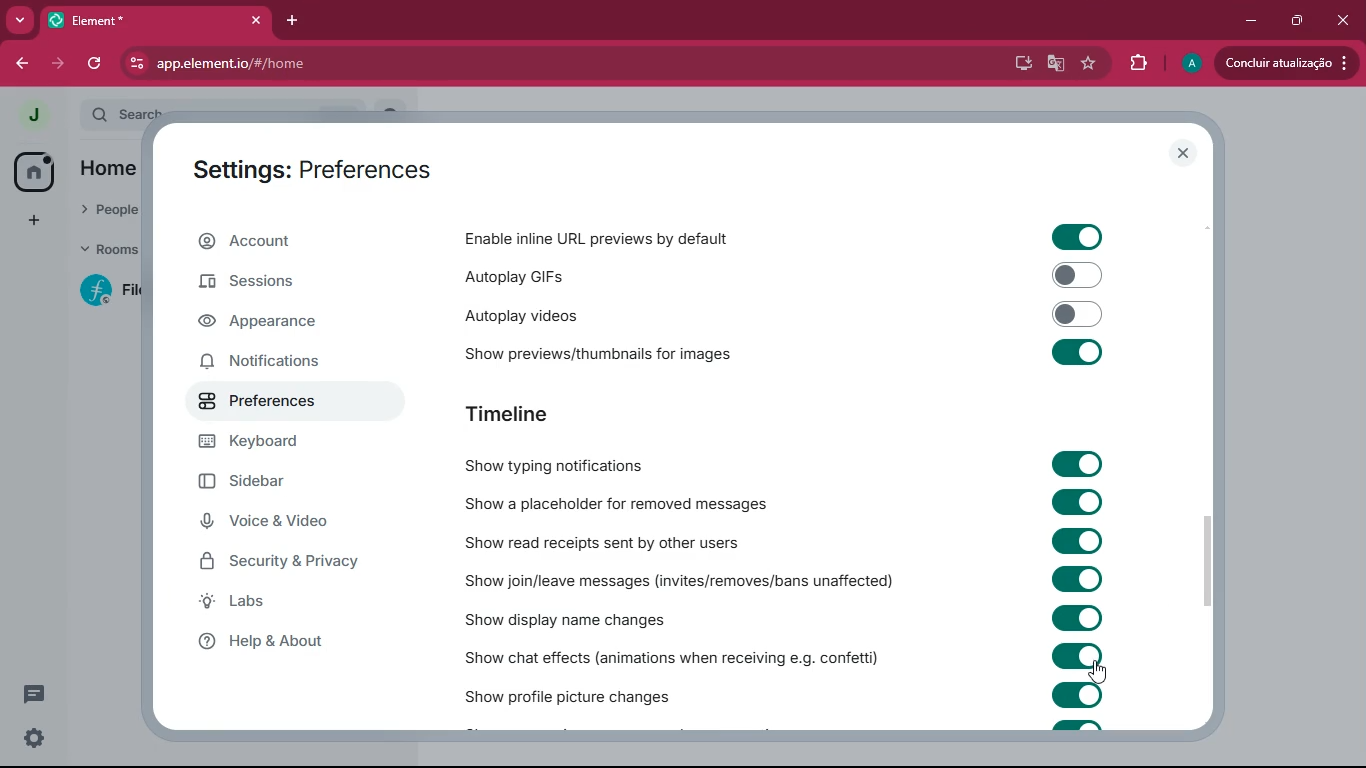 The height and width of the screenshot is (768, 1366). I want to click on profile picture, so click(33, 115).